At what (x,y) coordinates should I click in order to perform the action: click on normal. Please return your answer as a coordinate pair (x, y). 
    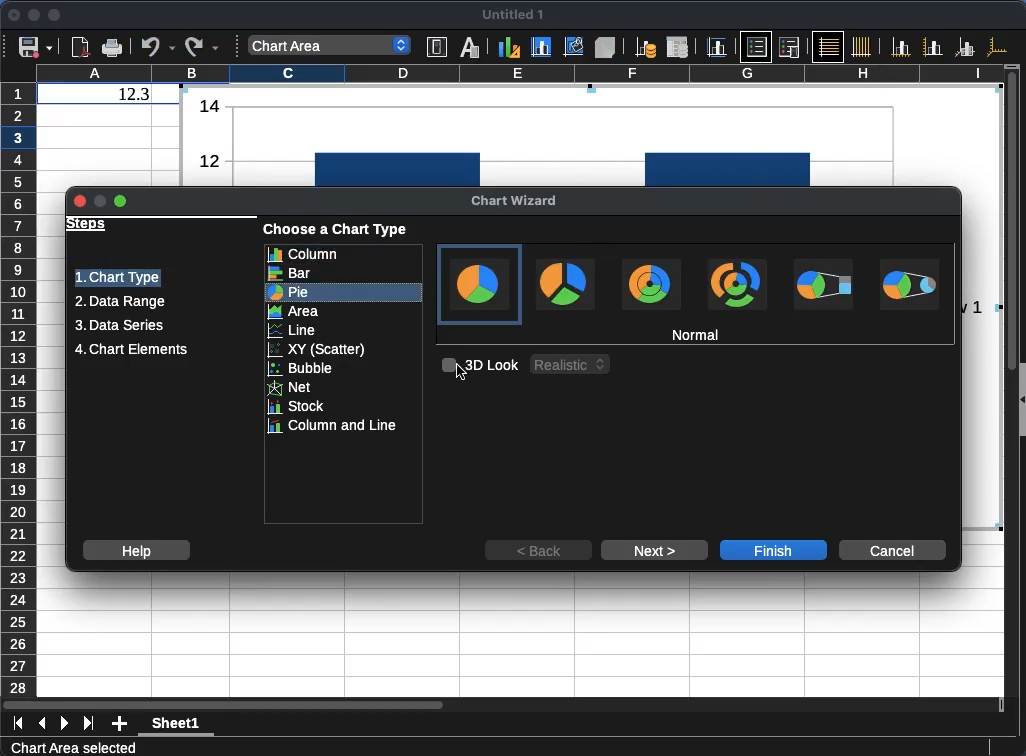
    Looking at the image, I should click on (696, 334).